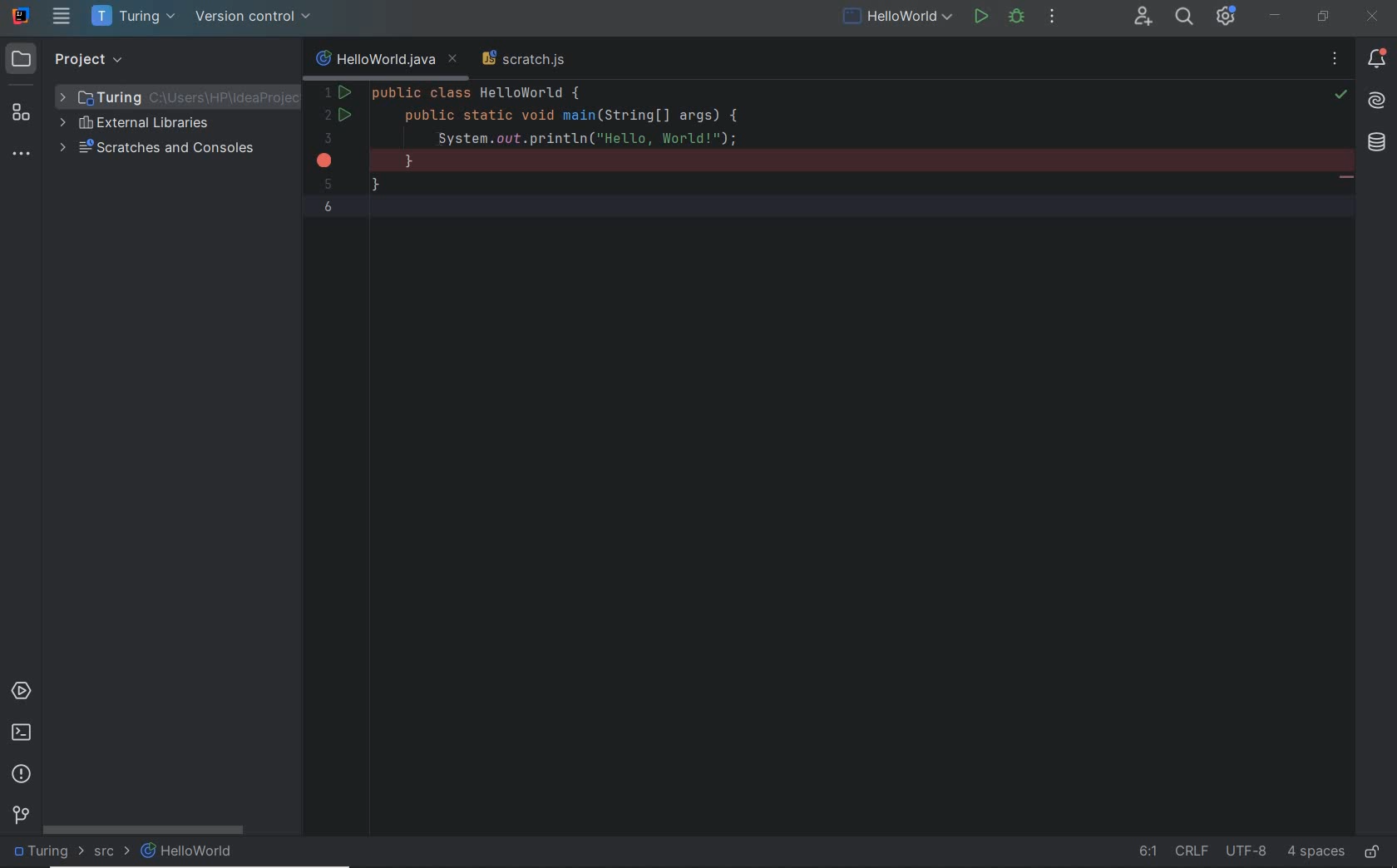 This screenshot has height=868, width=1397. What do you see at coordinates (21, 693) in the screenshot?
I see `services` at bounding box center [21, 693].